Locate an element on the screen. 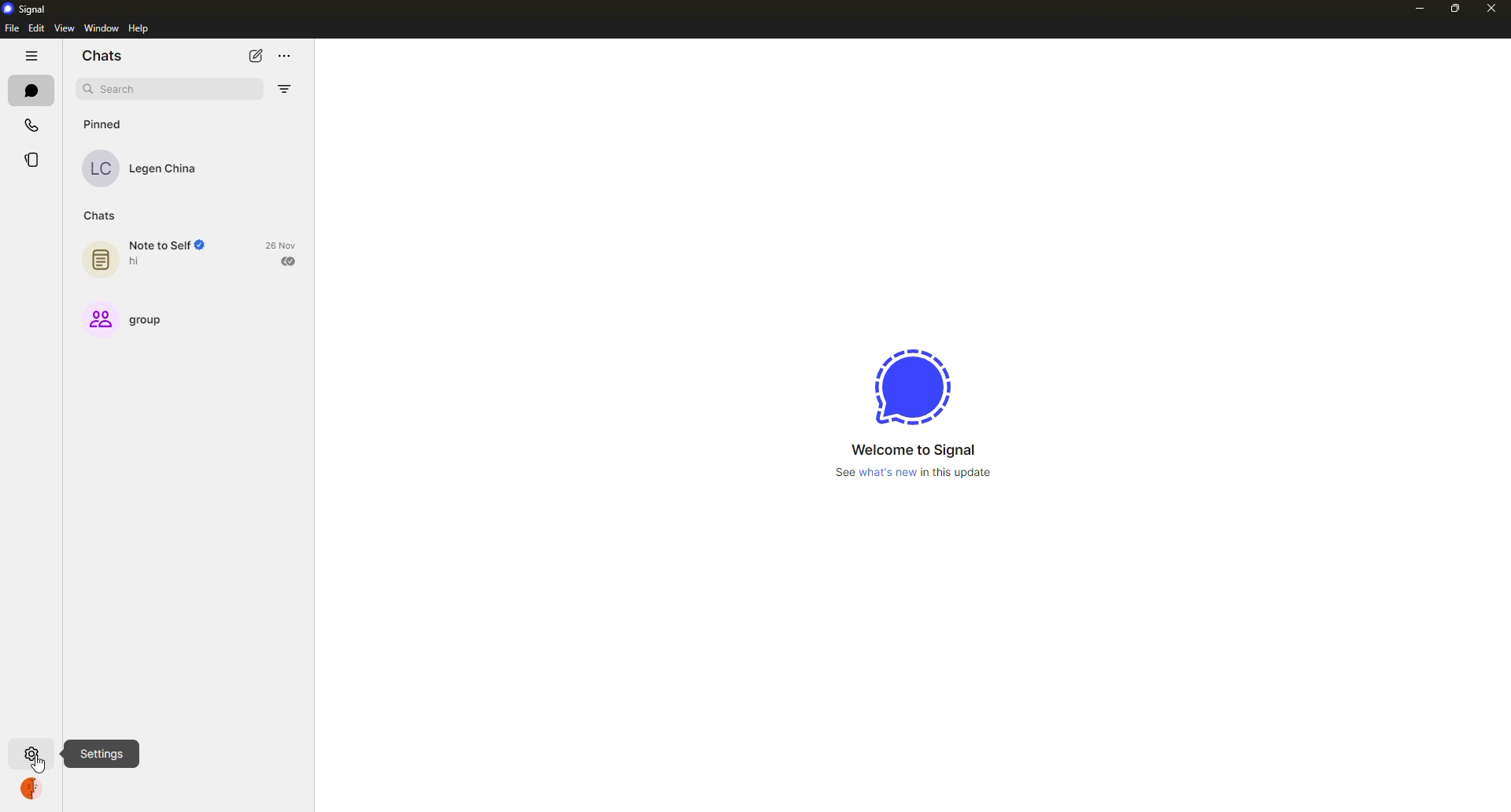 The width and height of the screenshot is (1511, 812). sent is located at coordinates (289, 261).